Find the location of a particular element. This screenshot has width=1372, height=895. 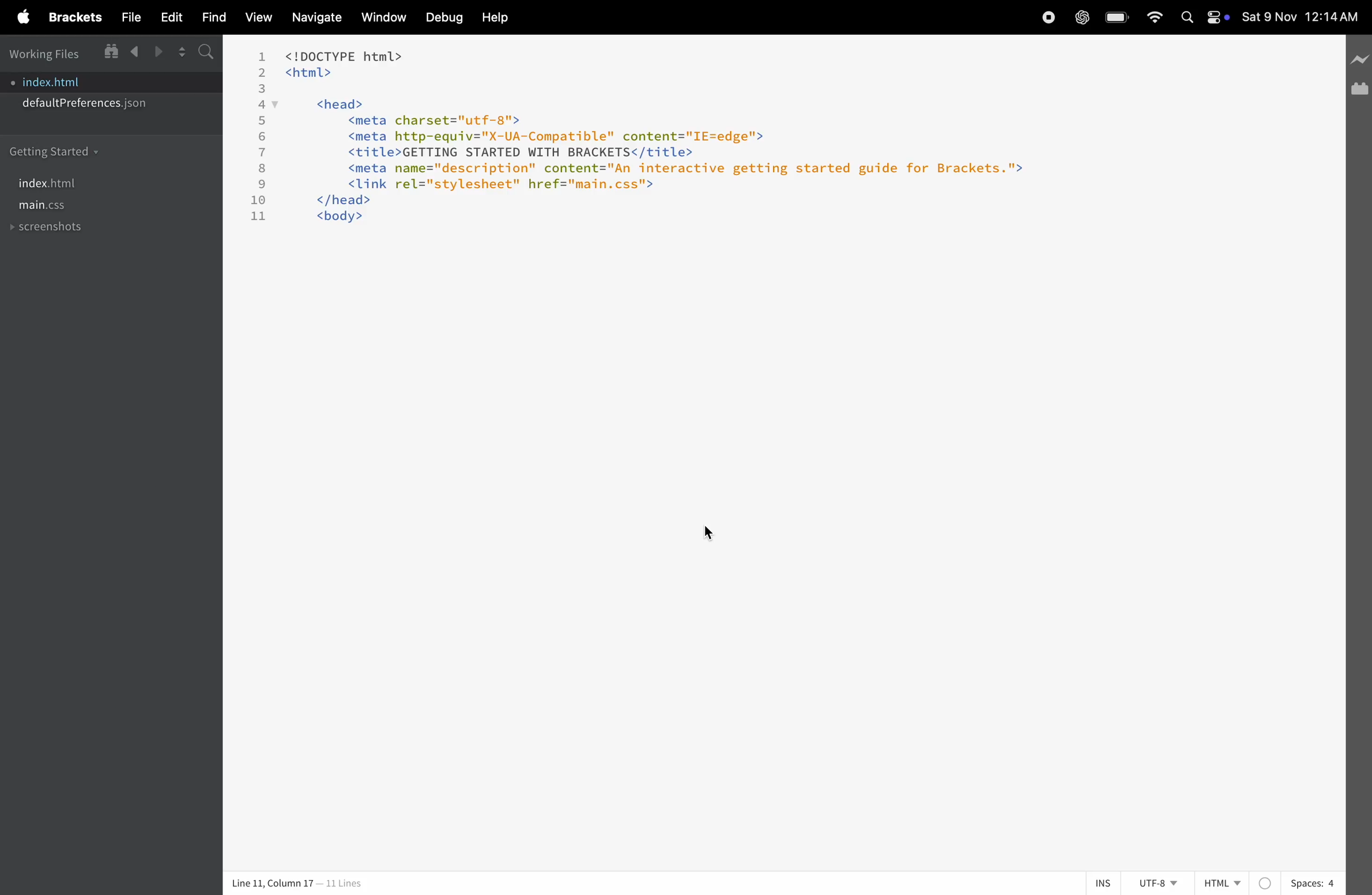

window is located at coordinates (383, 18).